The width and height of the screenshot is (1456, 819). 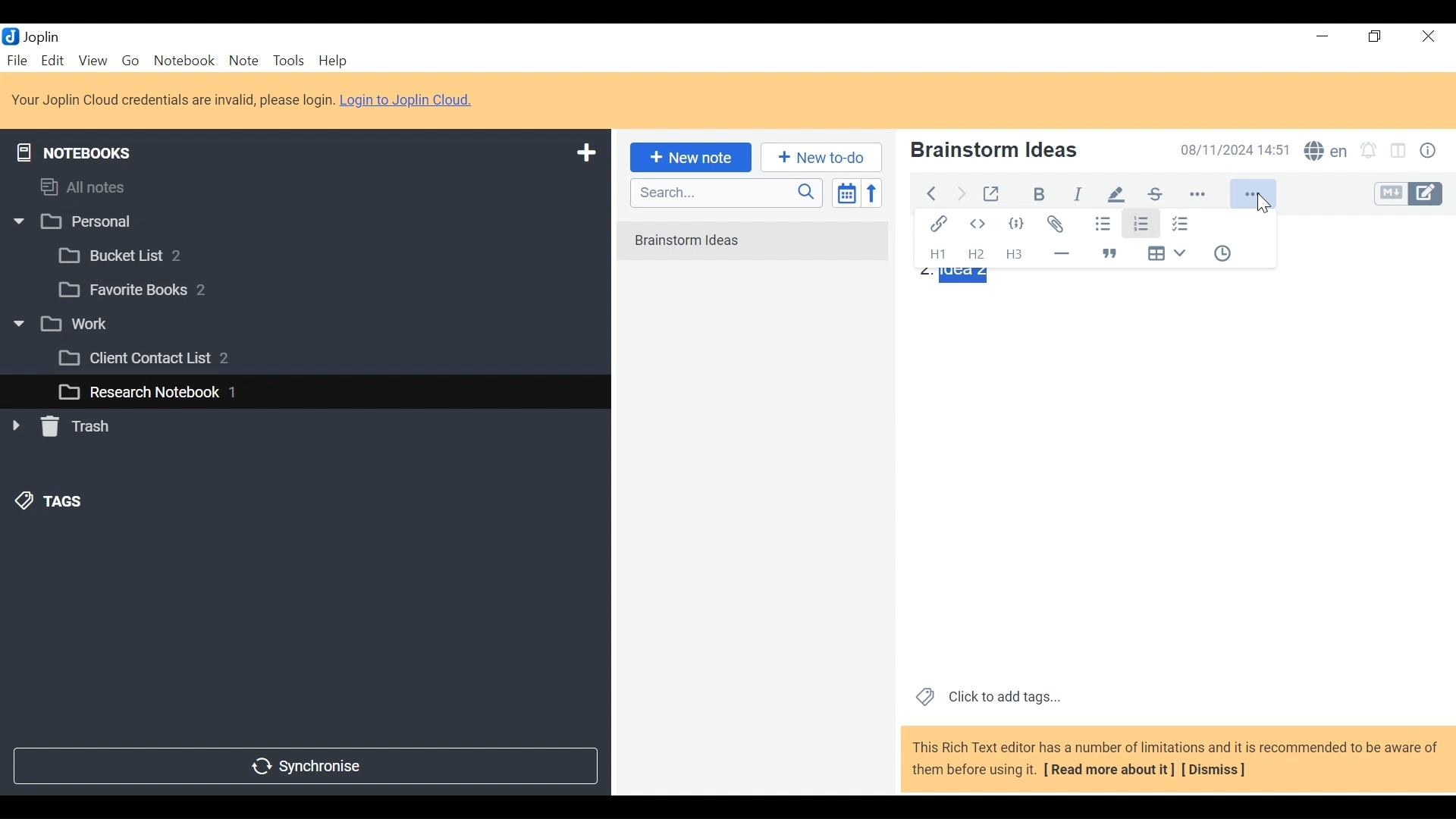 I want to click on Close, so click(x=1426, y=37).